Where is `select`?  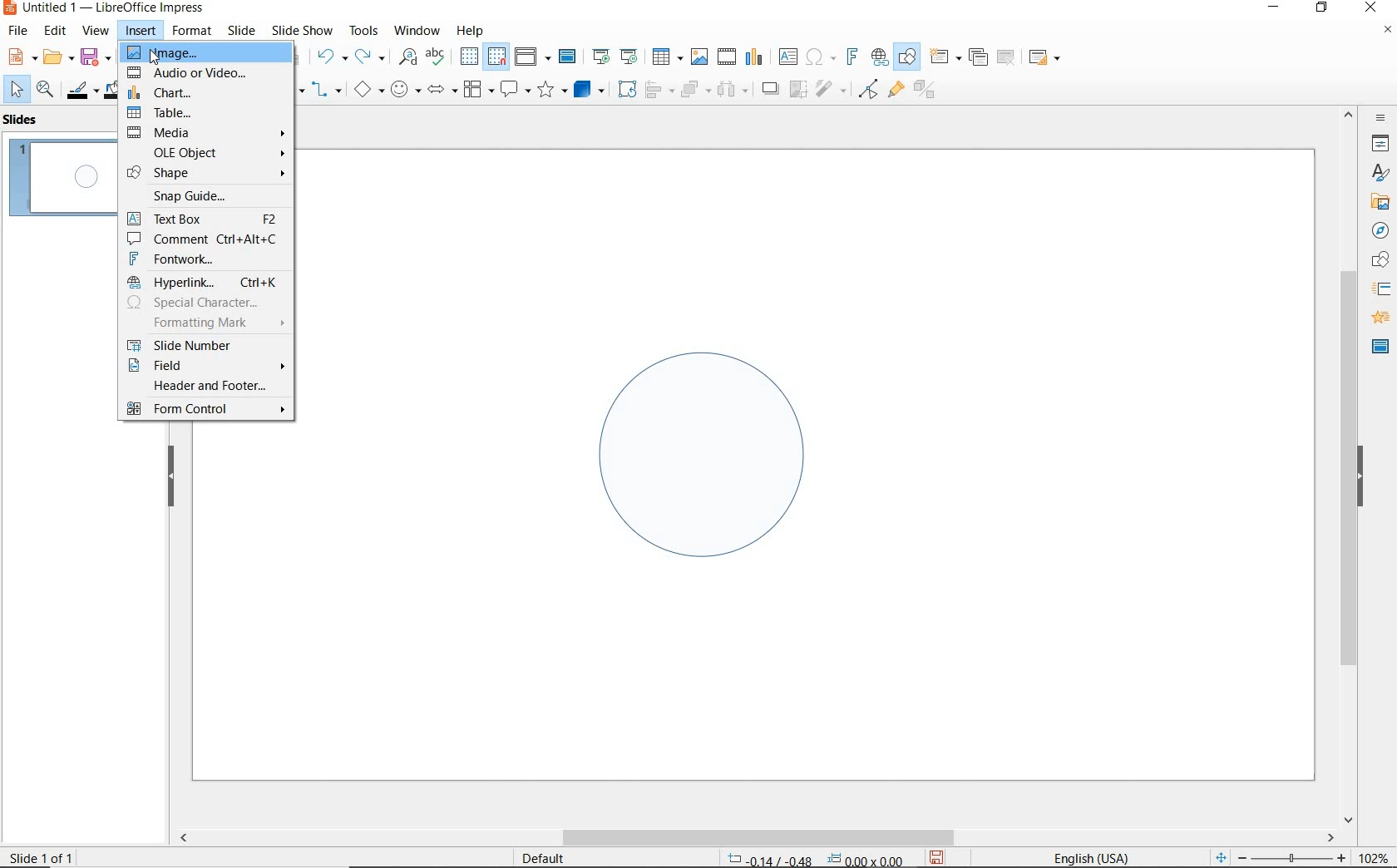
select is located at coordinates (17, 90).